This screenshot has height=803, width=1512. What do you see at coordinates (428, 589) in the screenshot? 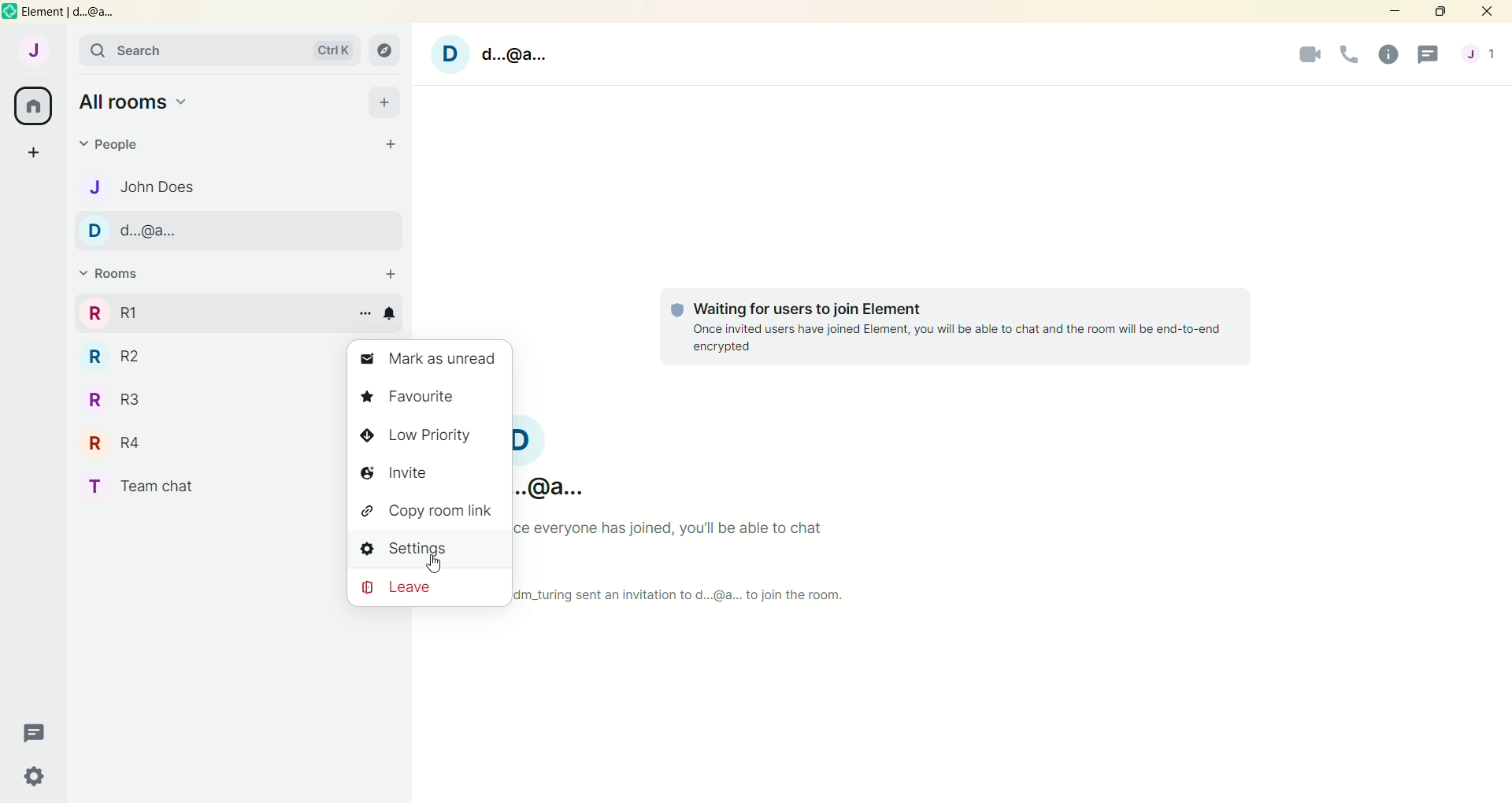
I see `leave` at bounding box center [428, 589].